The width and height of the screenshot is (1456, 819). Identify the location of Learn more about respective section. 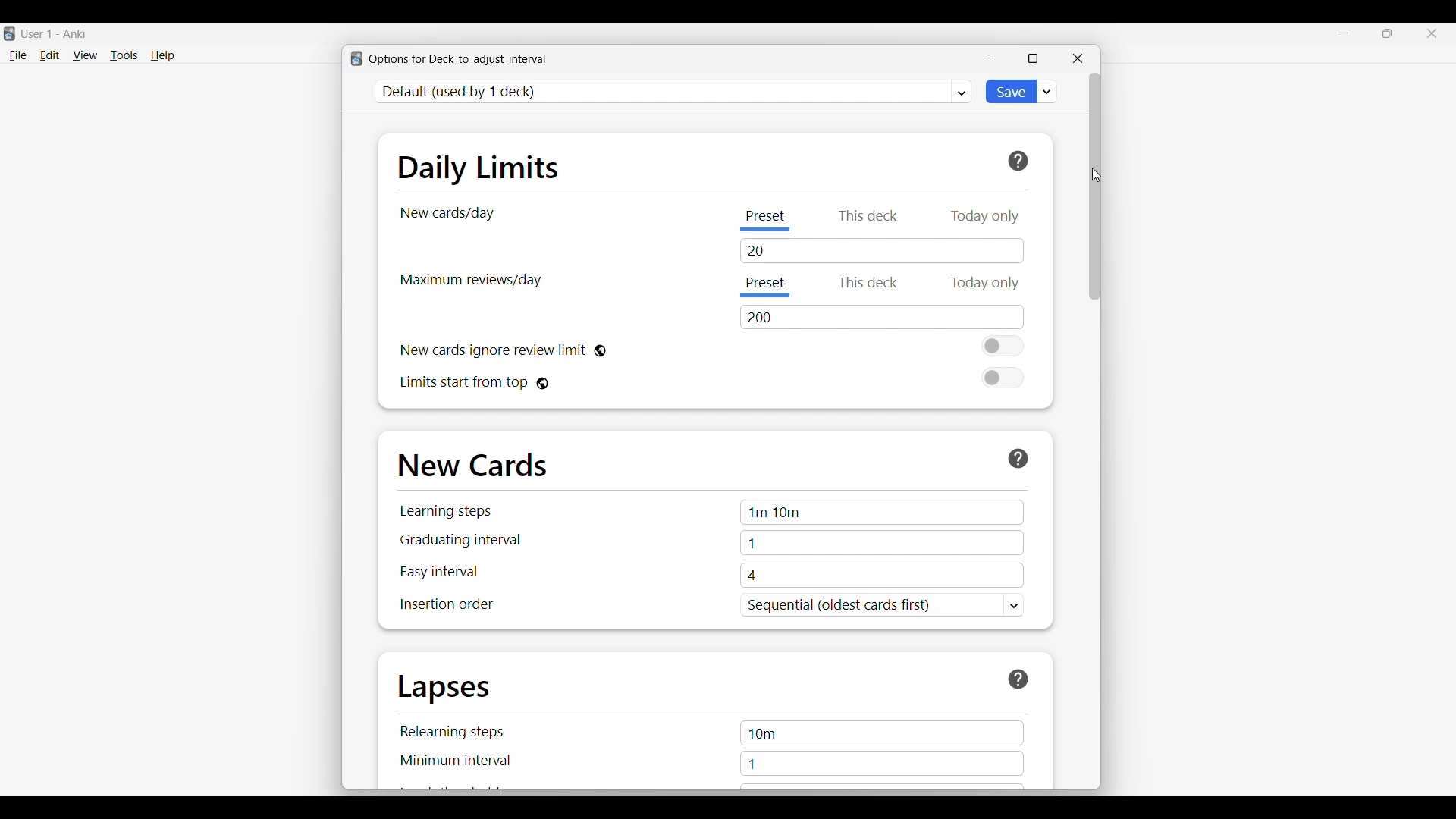
(1019, 679).